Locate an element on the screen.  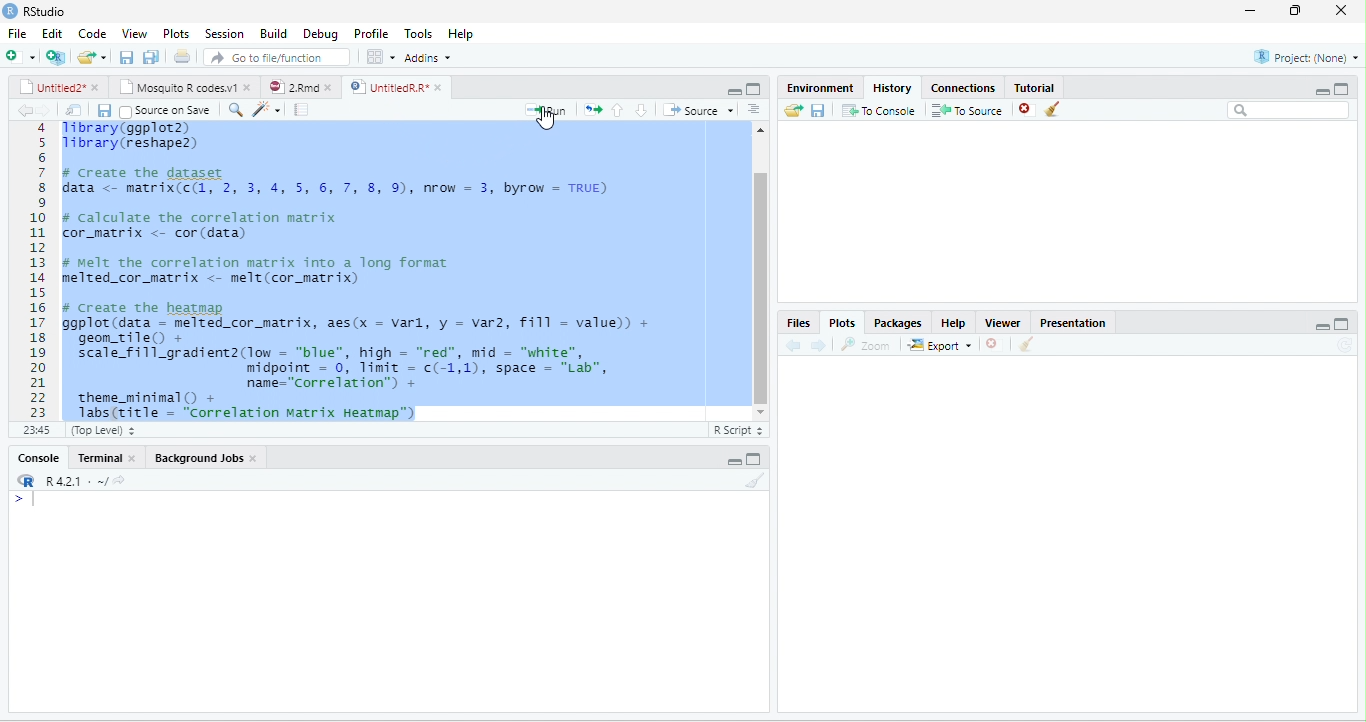
search is located at coordinates (259, 109).